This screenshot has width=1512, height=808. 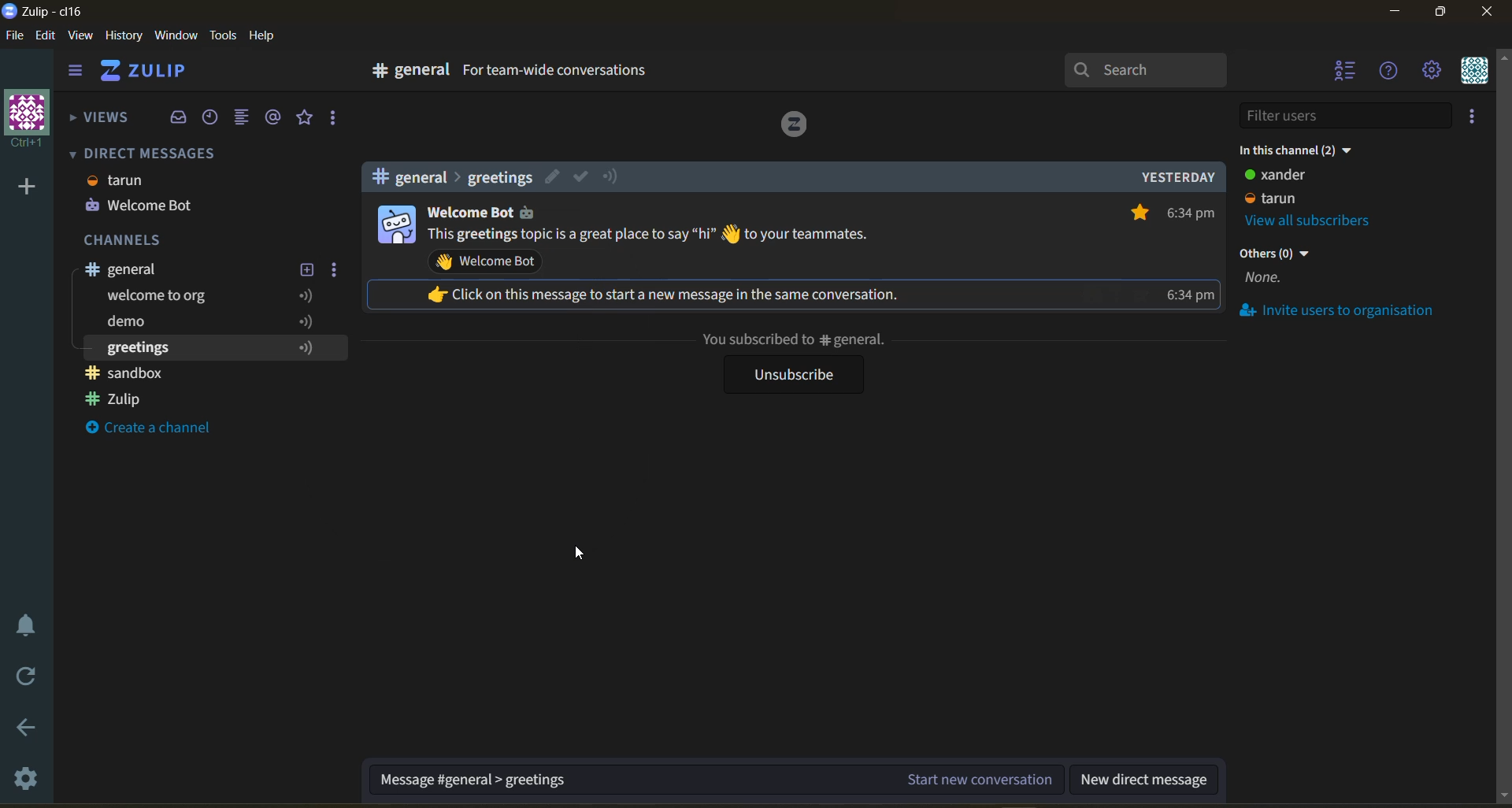 I want to click on view, so click(x=79, y=38).